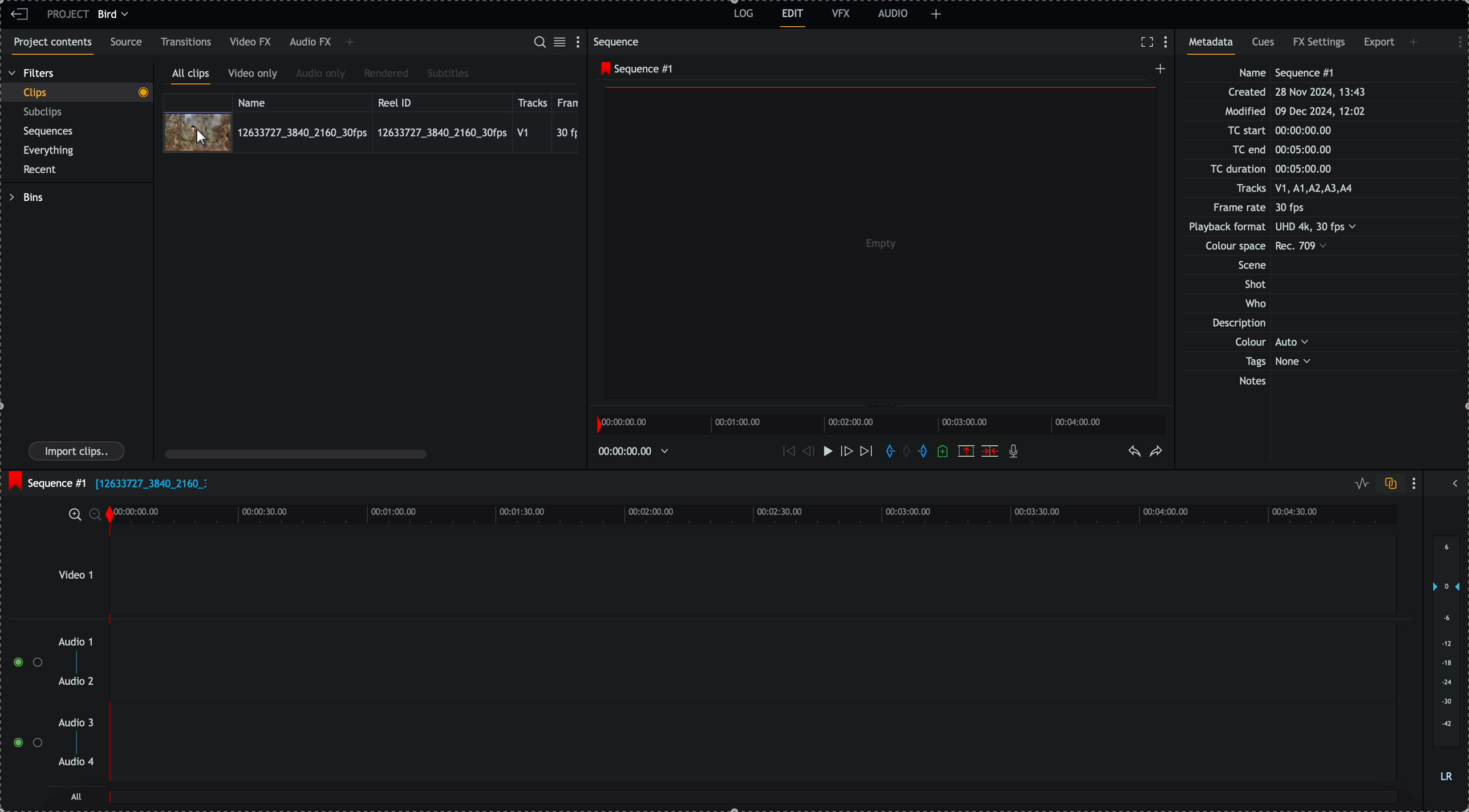 This screenshot has width=1469, height=812. What do you see at coordinates (151, 485) in the screenshot?
I see `file` at bounding box center [151, 485].